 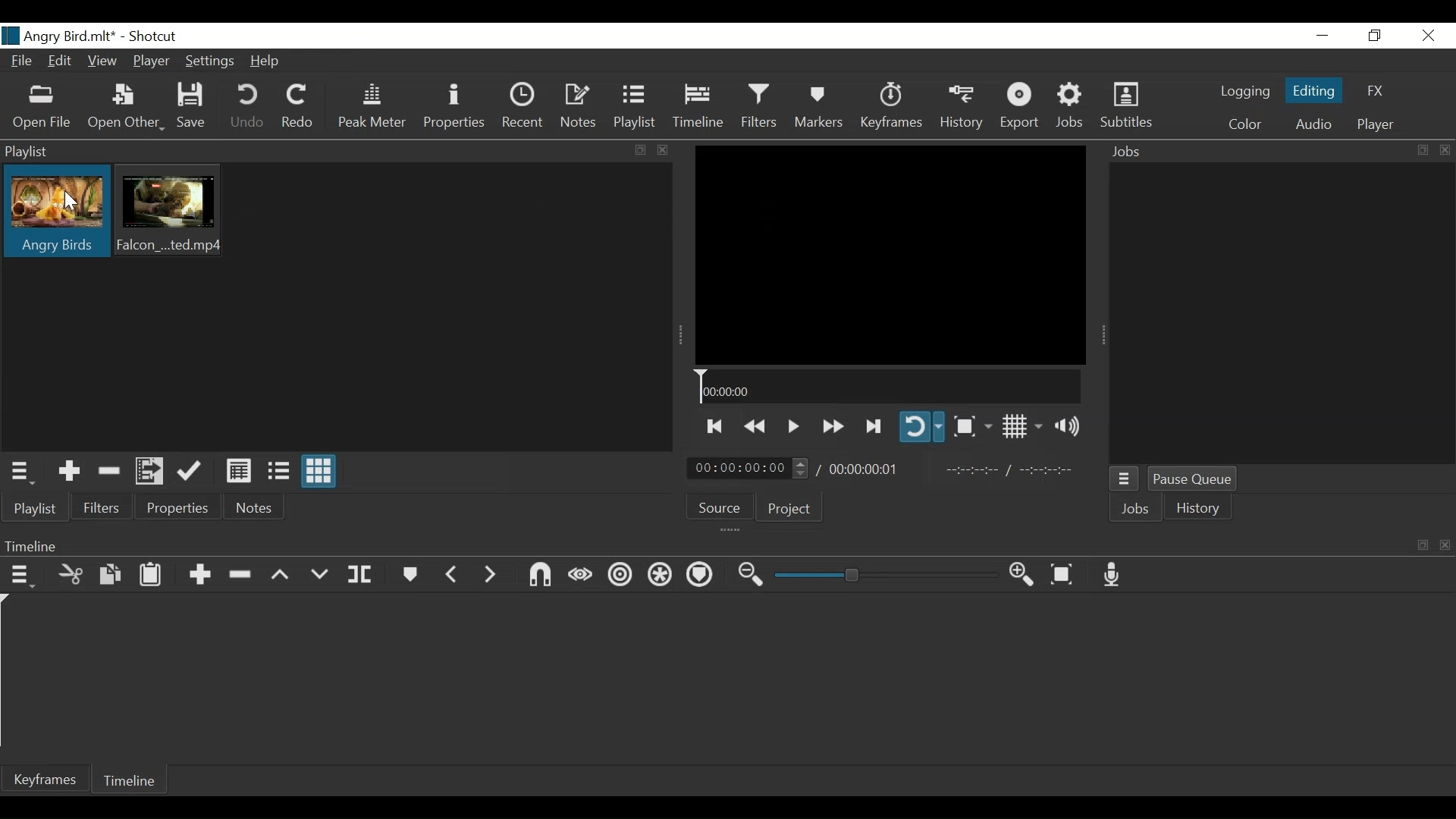 What do you see at coordinates (190, 471) in the screenshot?
I see `Update` at bounding box center [190, 471].